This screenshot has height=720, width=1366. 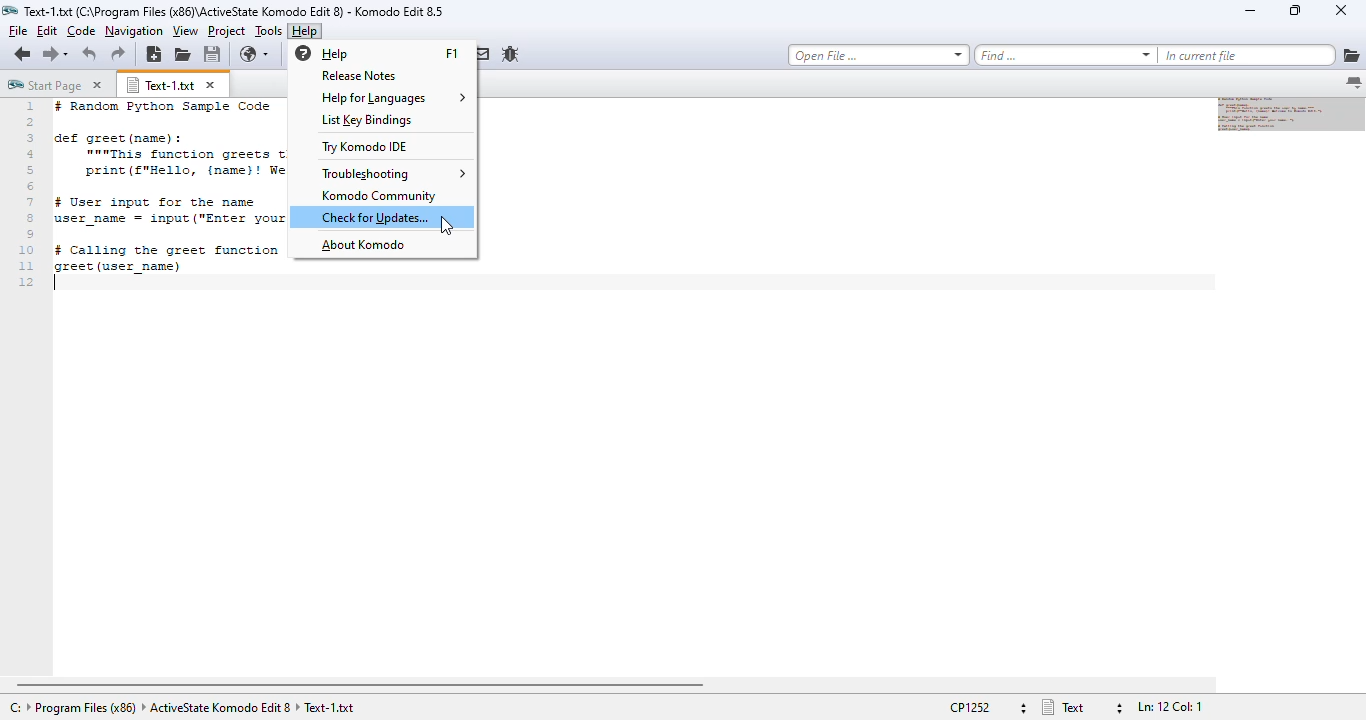 I want to click on list all tabs, so click(x=1354, y=83).